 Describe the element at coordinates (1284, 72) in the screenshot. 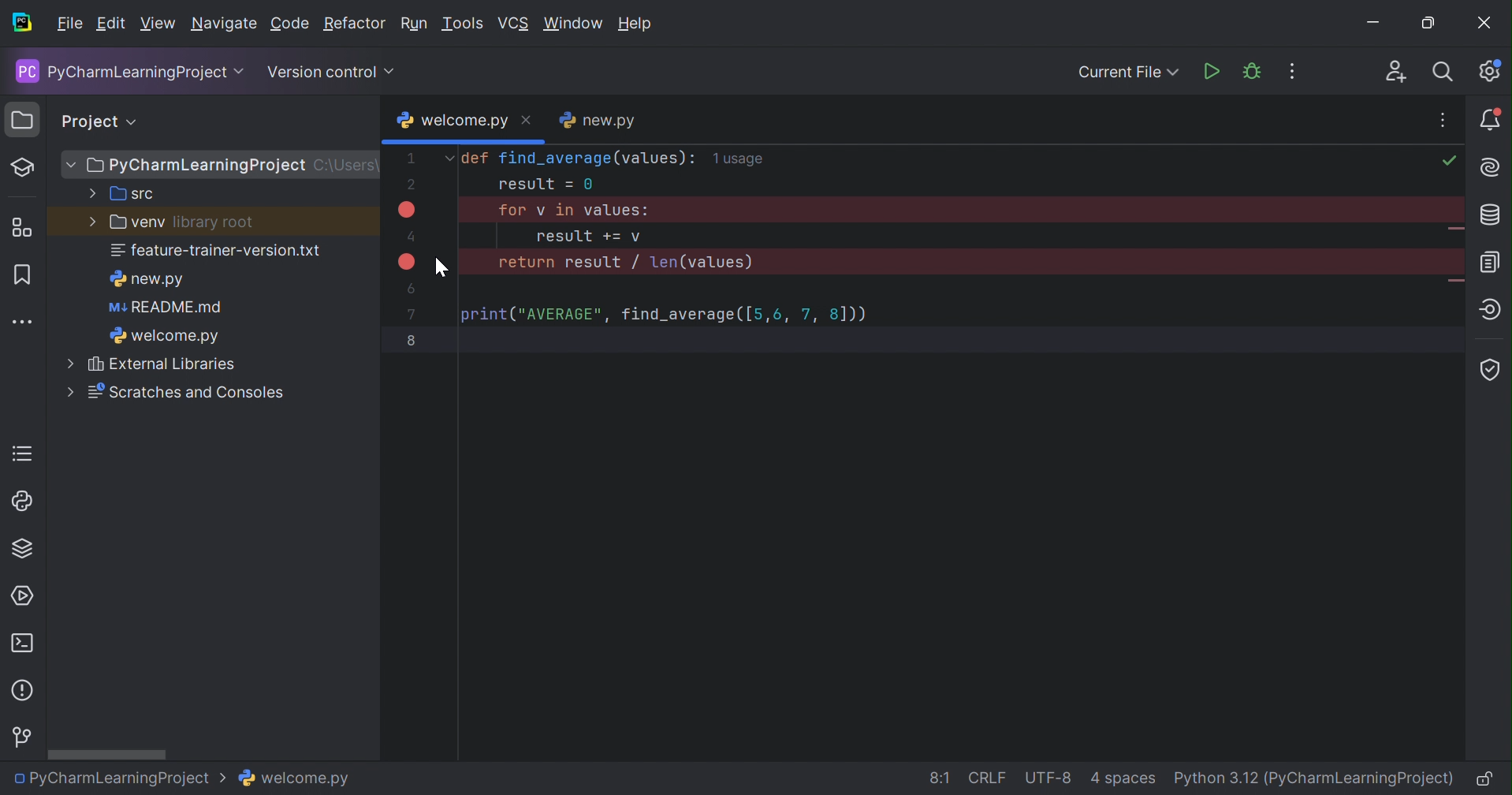

I see `More Actions` at that location.